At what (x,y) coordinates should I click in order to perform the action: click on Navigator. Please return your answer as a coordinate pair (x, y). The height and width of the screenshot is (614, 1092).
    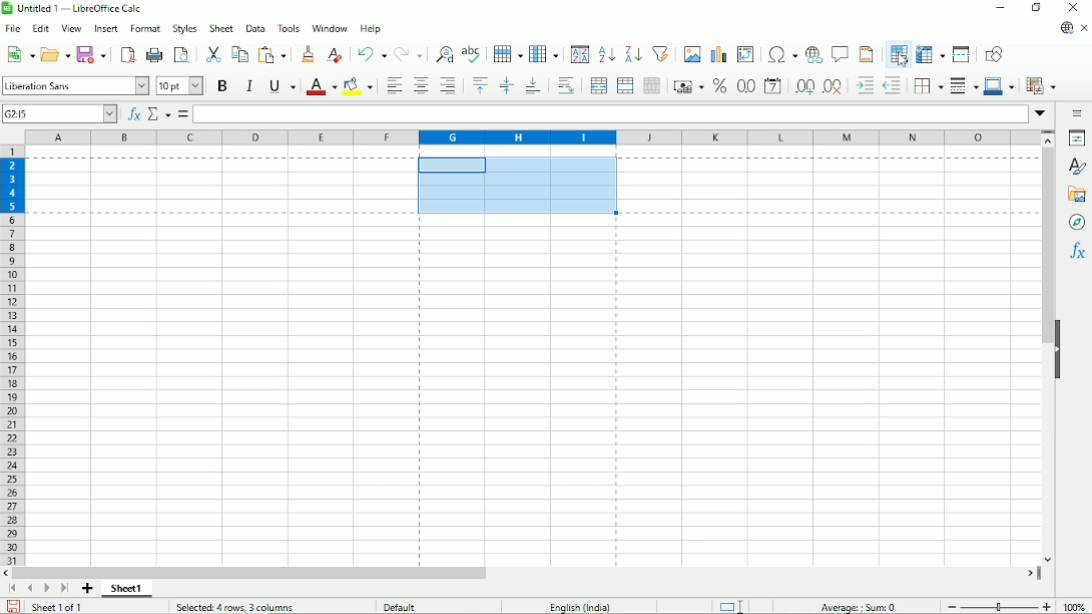
    Looking at the image, I should click on (1076, 223).